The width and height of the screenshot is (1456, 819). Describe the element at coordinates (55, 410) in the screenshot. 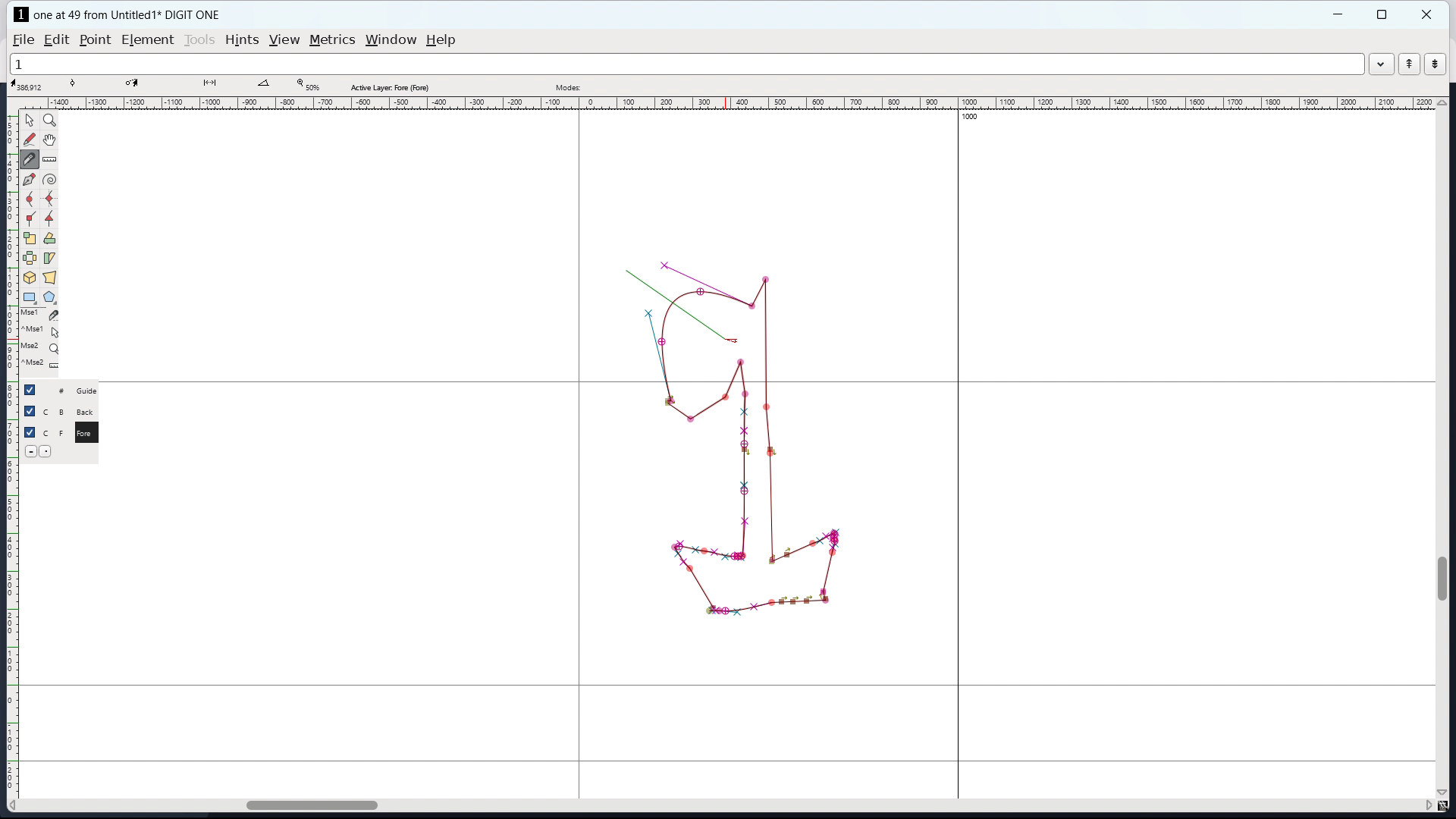

I see `C B` at that location.